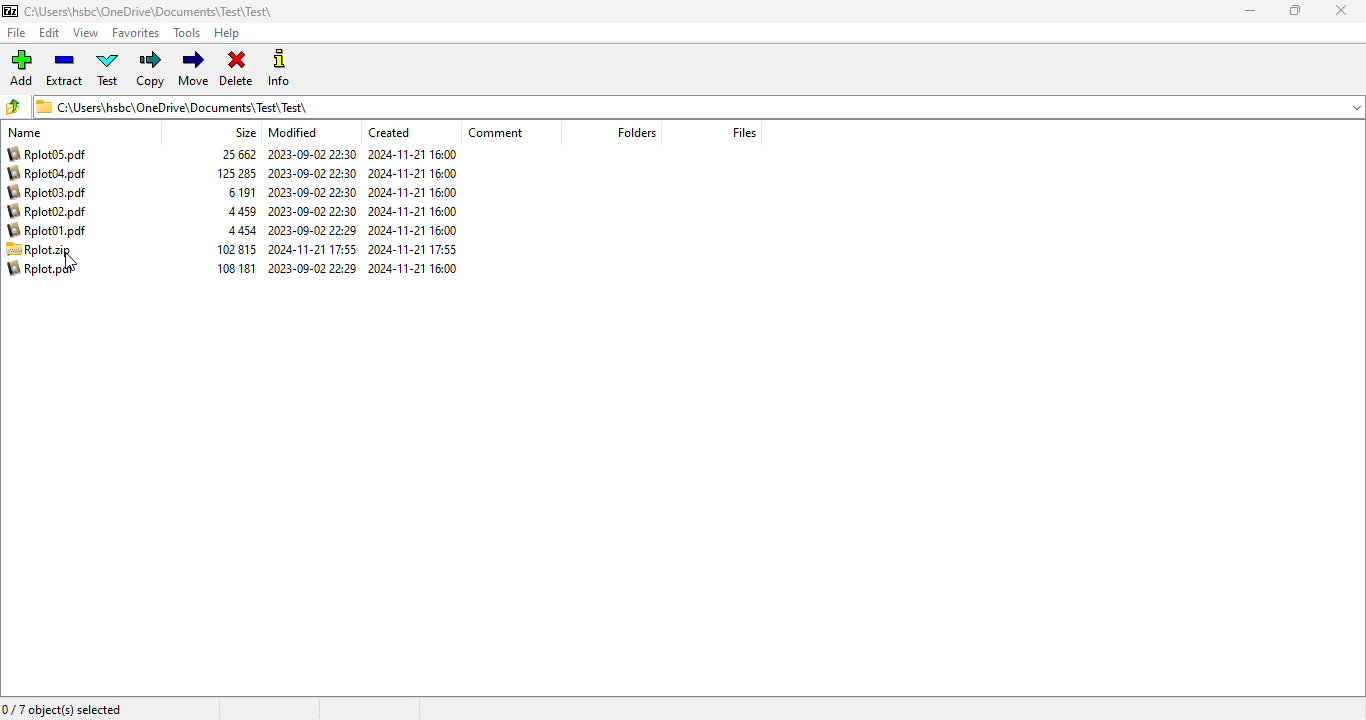 The width and height of the screenshot is (1366, 720). Describe the element at coordinates (242, 230) in the screenshot. I see `4454` at that location.